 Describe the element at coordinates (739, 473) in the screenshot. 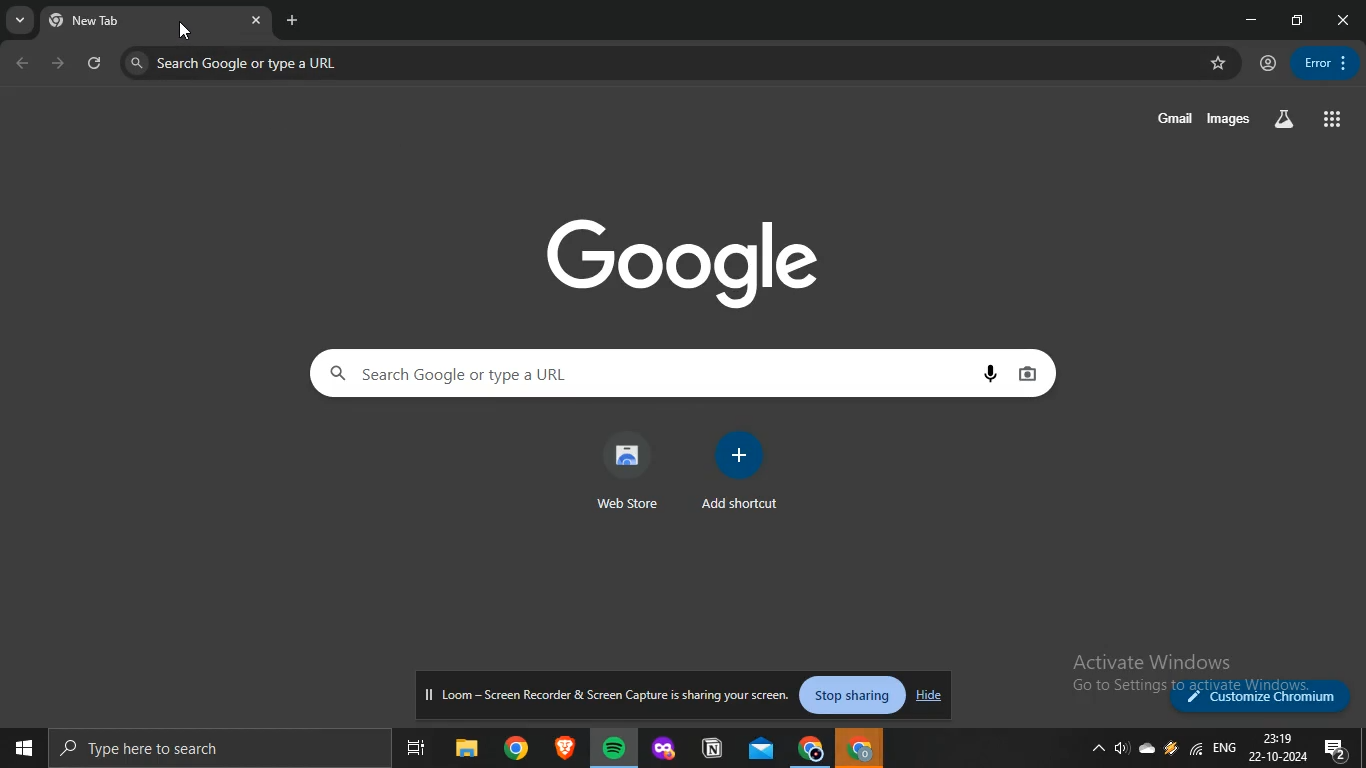

I see `add shortcut` at that location.